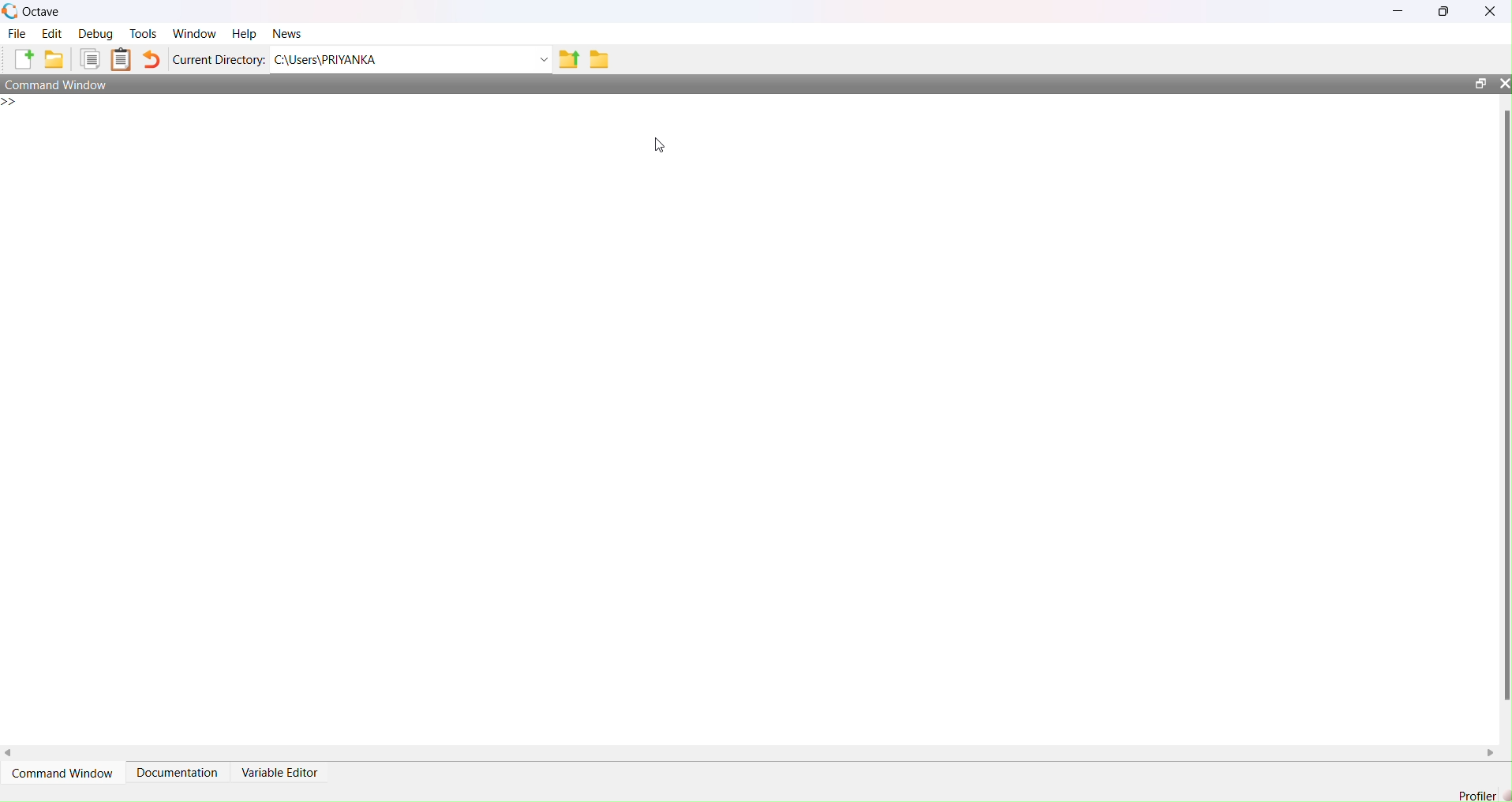 This screenshot has width=1512, height=802. I want to click on maximise, so click(1476, 82).